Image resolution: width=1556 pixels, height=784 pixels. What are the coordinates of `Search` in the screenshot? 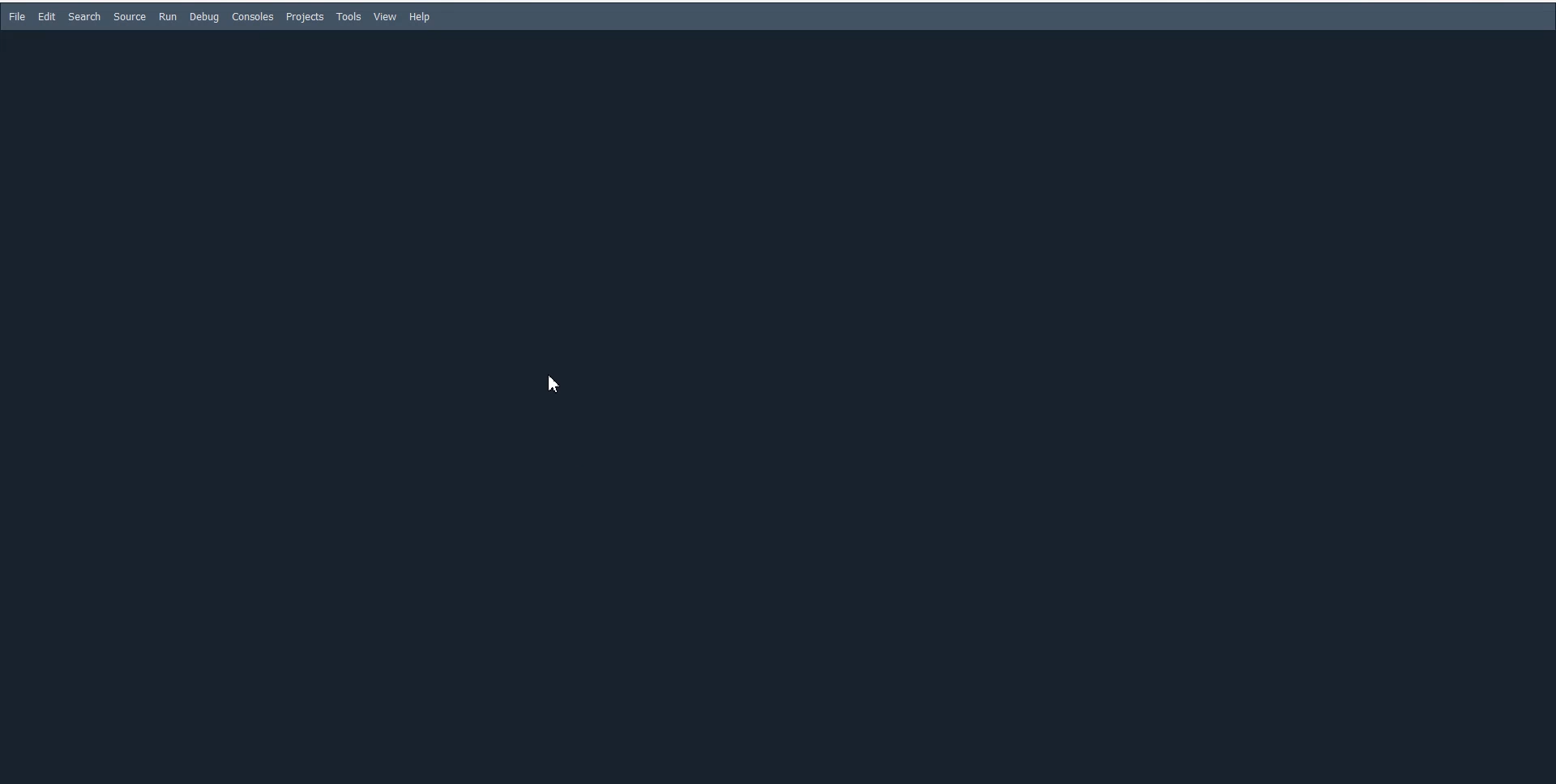 It's located at (83, 17).